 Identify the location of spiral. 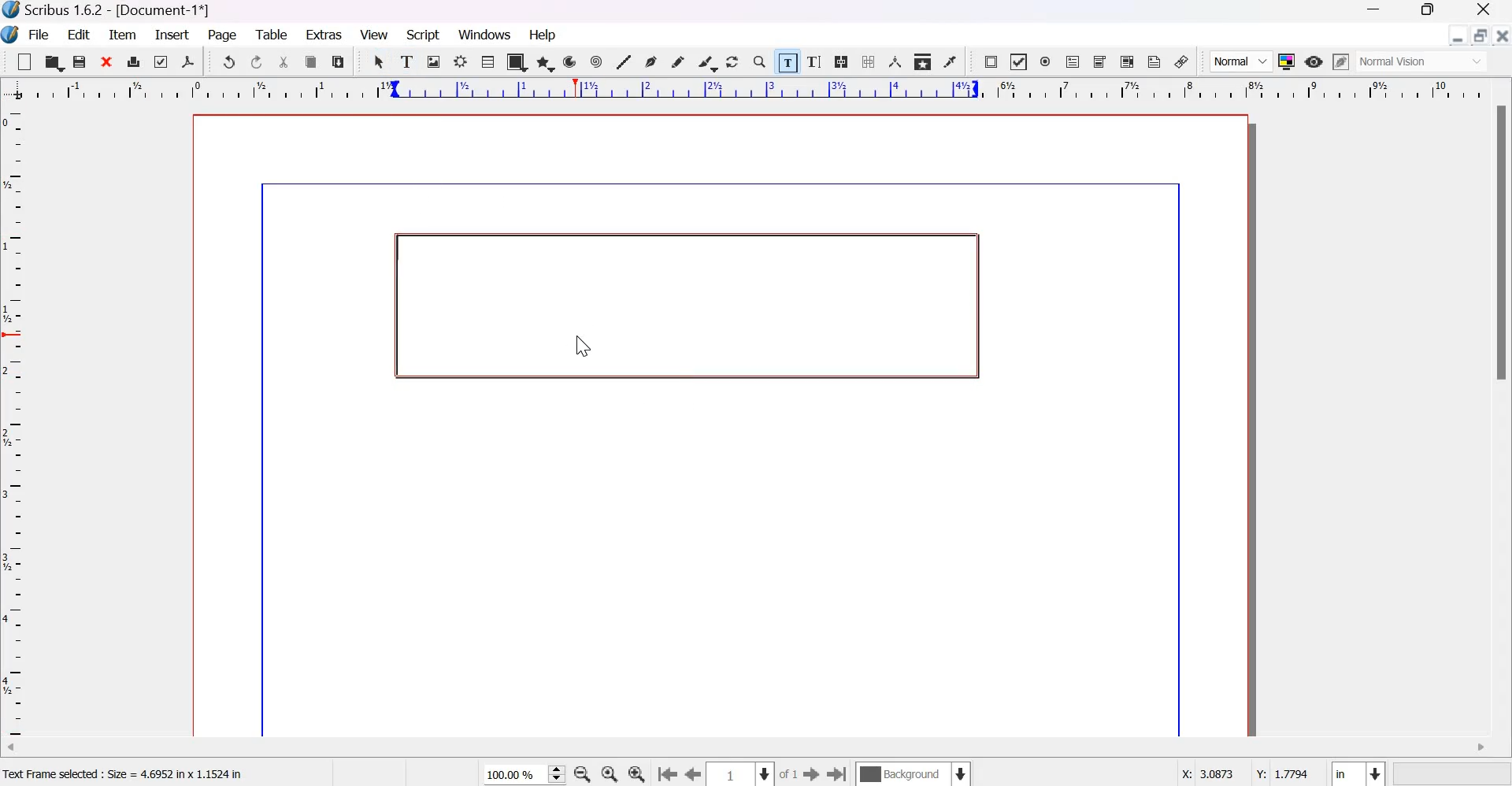
(598, 61).